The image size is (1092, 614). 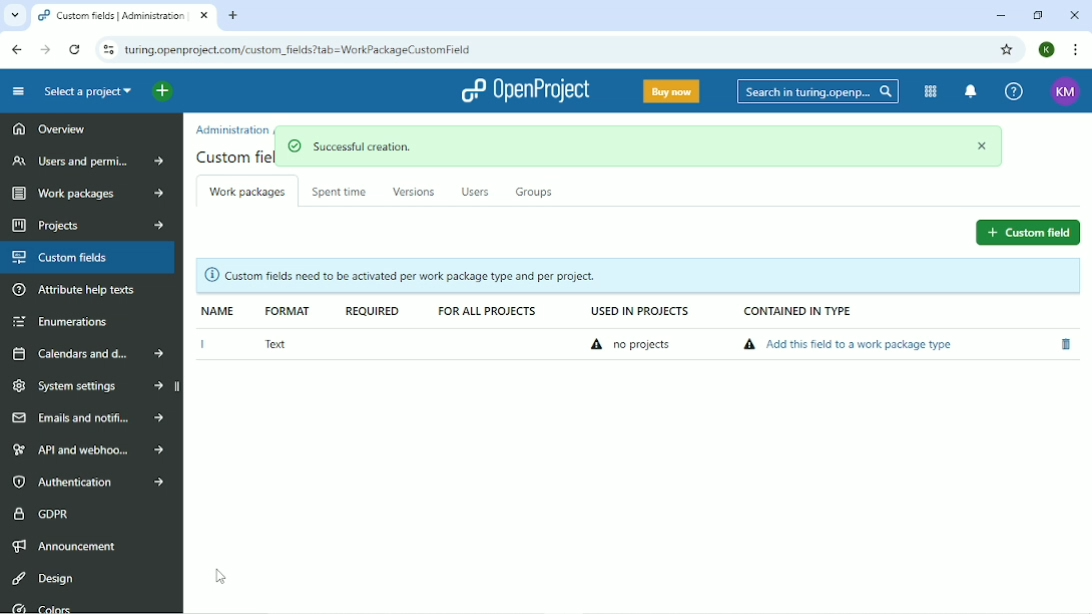 What do you see at coordinates (635, 312) in the screenshot?
I see `Used in projects` at bounding box center [635, 312].